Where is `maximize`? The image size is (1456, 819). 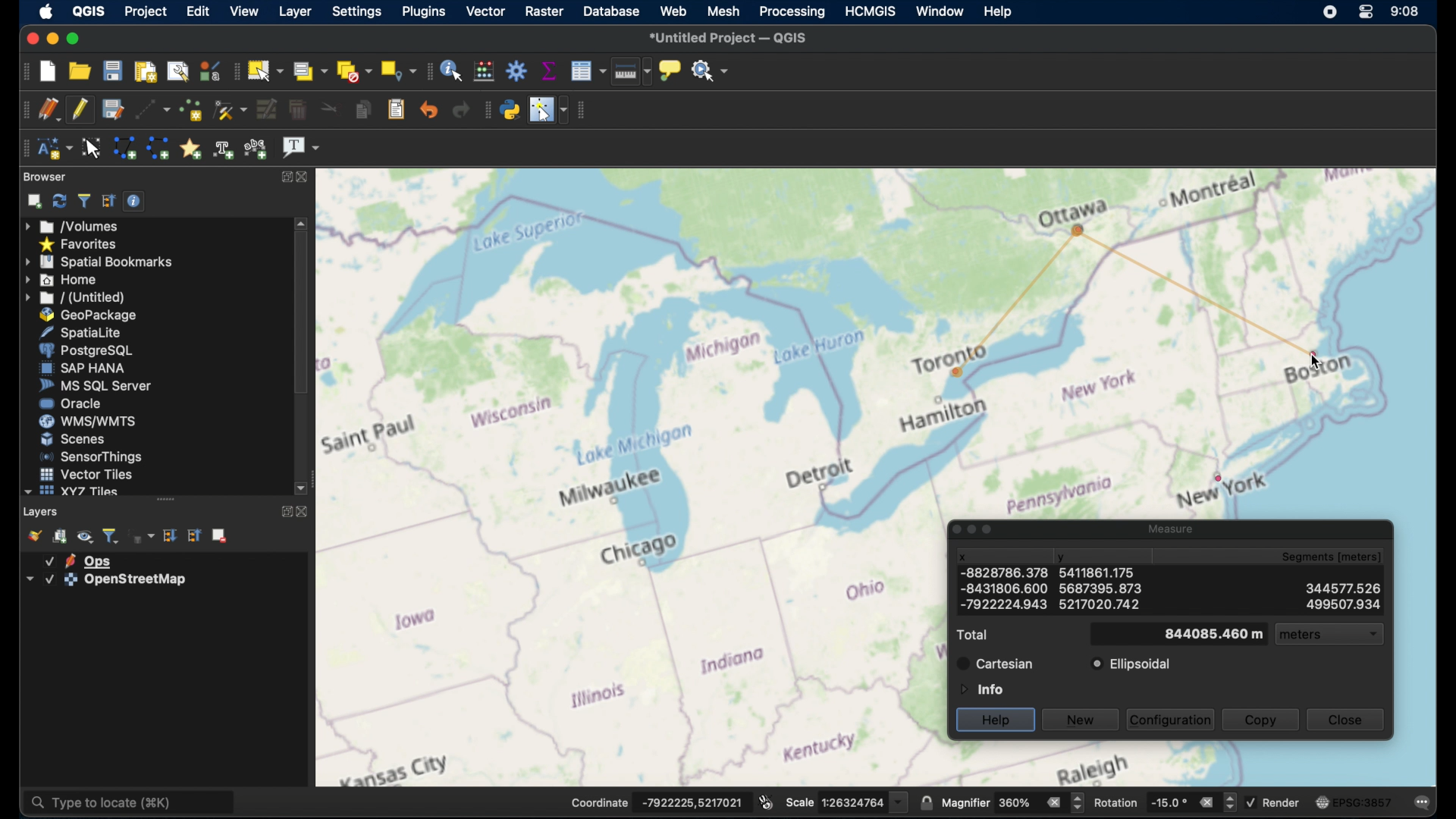
maximize is located at coordinates (73, 38).